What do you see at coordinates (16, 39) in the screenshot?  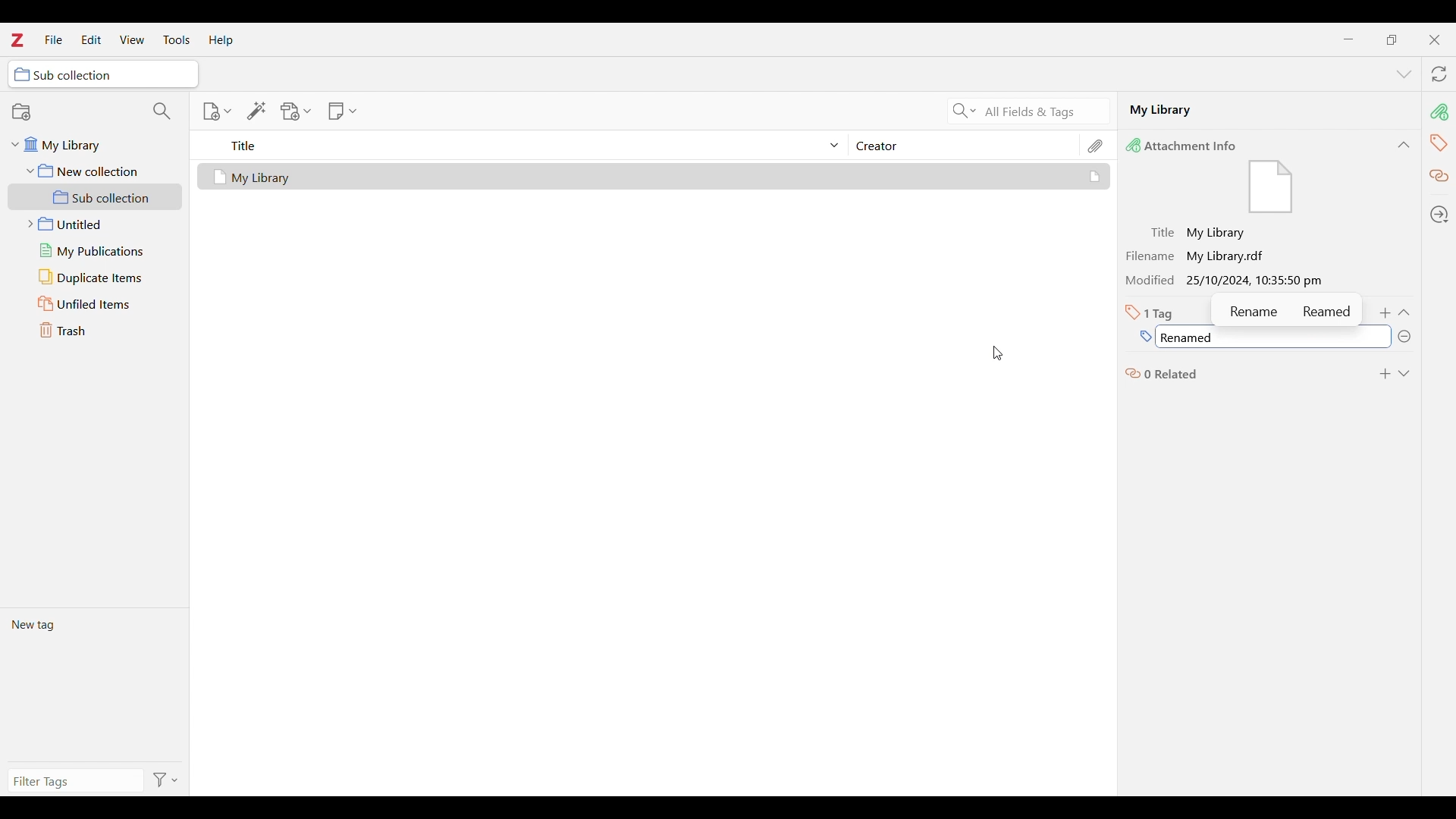 I see `Software logo` at bounding box center [16, 39].